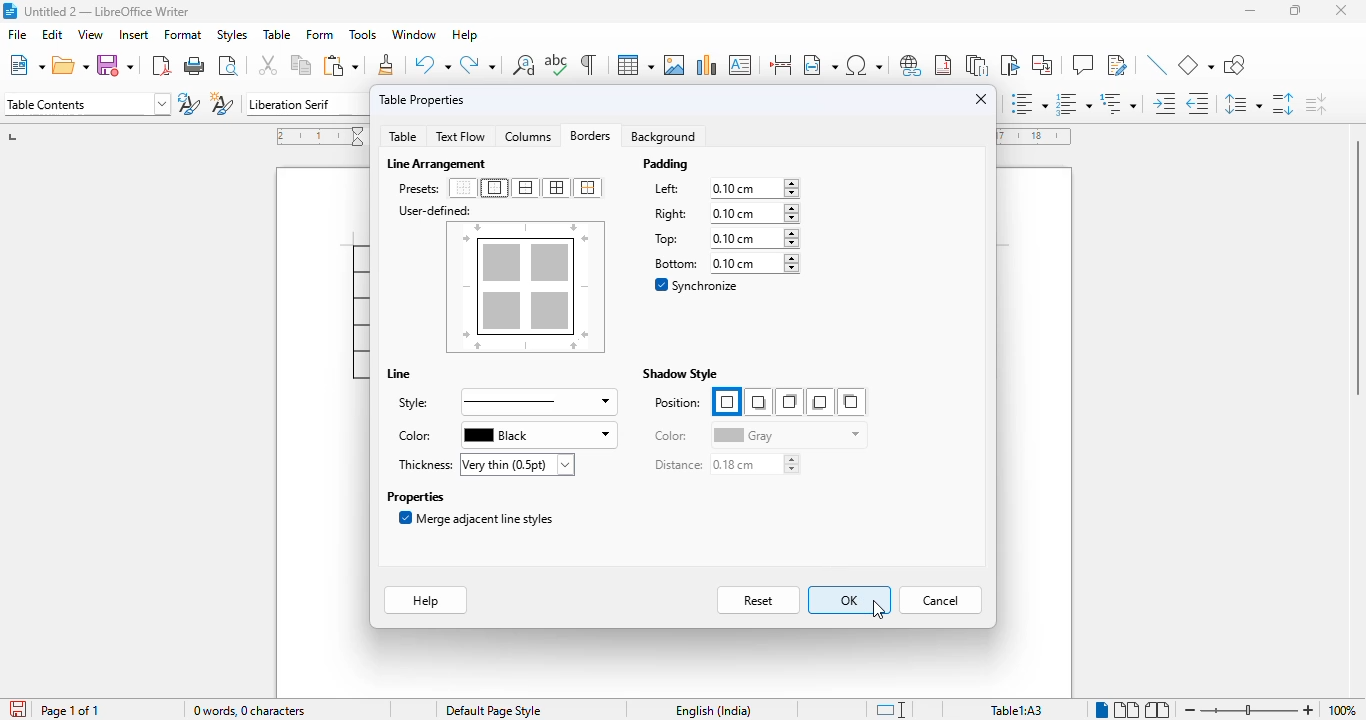  Describe the element at coordinates (70, 711) in the screenshot. I see `page 1 of 1` at that location.